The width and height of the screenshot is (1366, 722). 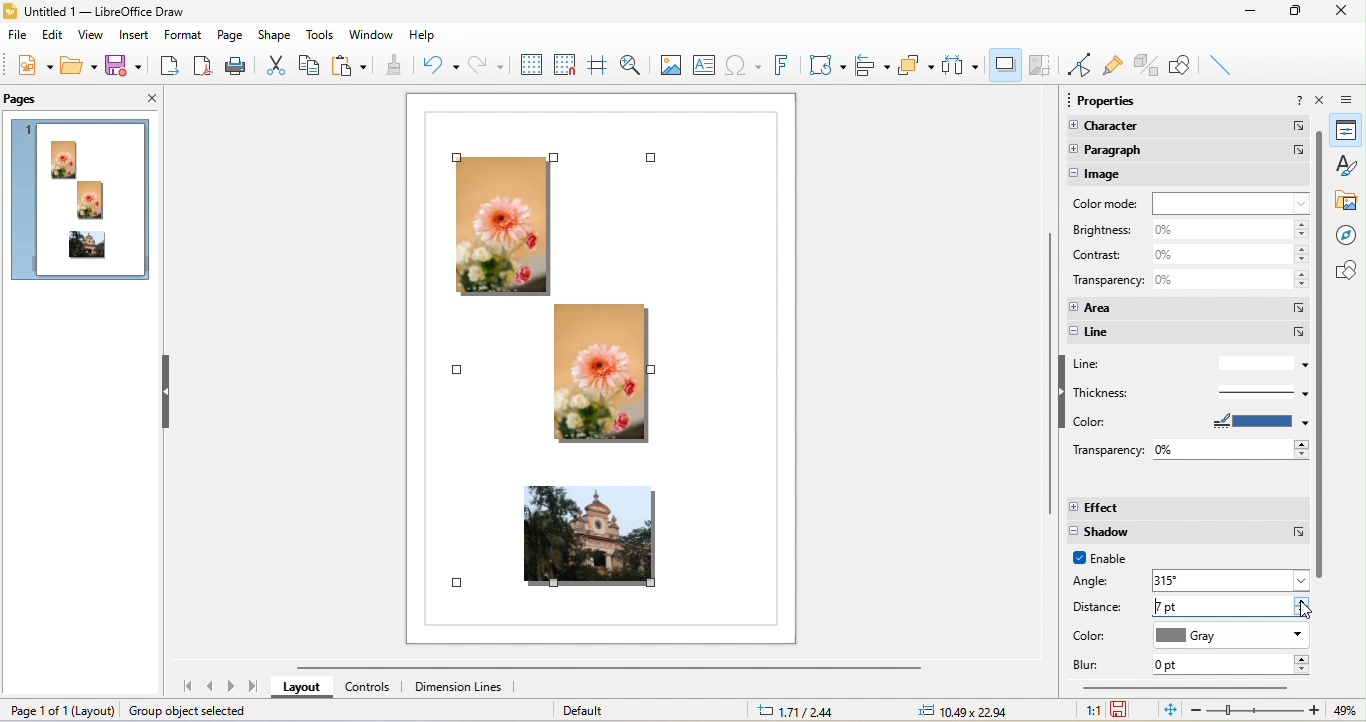 What do you see at coordinates (134, 35) in the screenshot?
I see `insert` at bounding box center [134, 35].